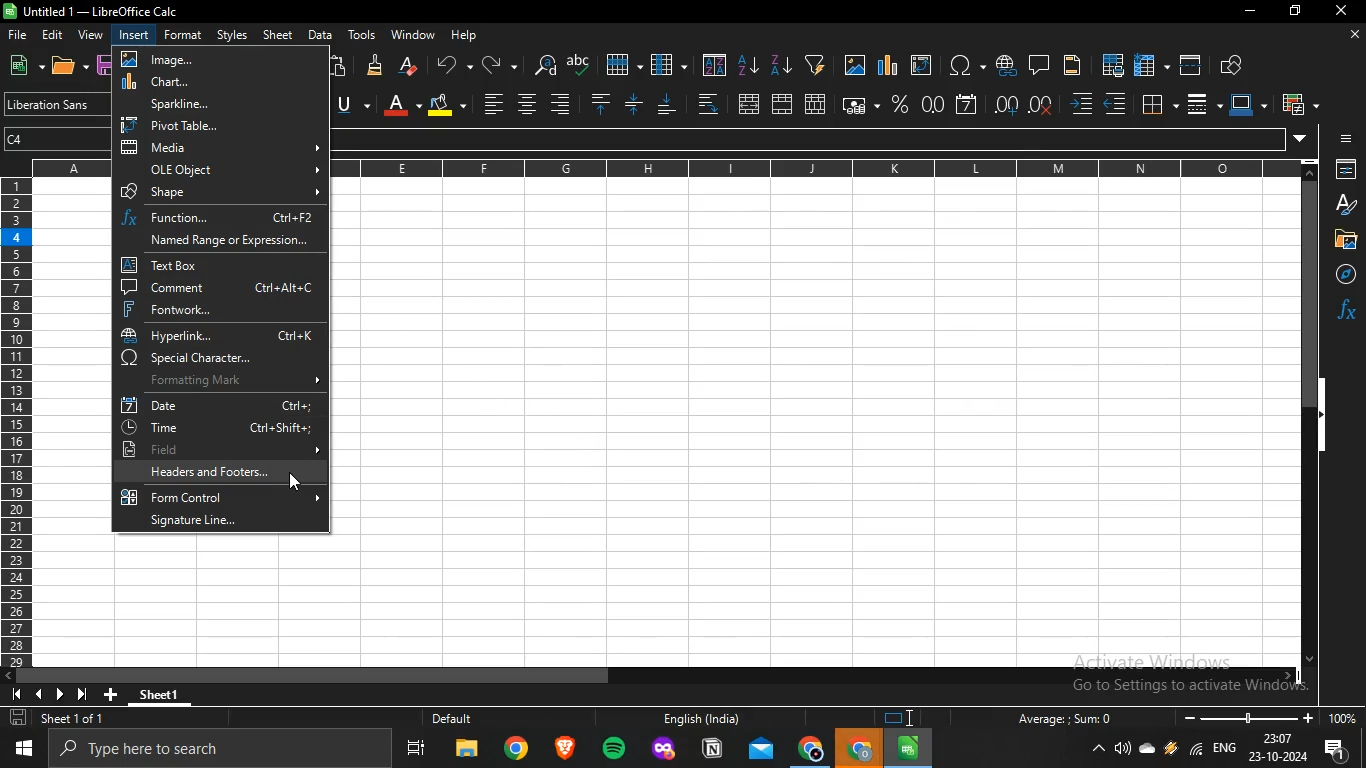  I want to click on image, so click(209, 58).